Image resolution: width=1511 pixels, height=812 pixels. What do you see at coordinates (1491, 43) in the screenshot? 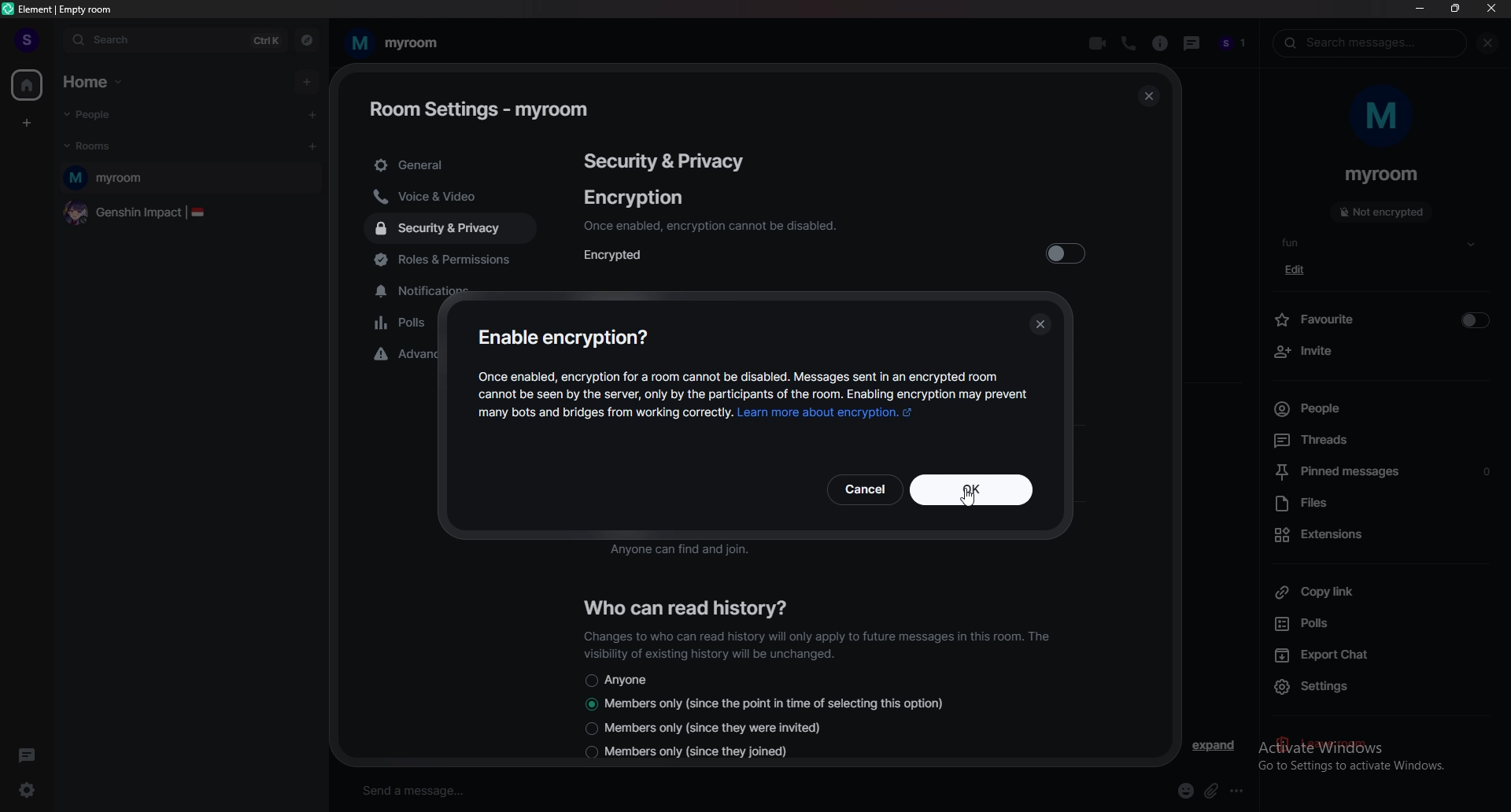
I see `close` at bounding box center [1491, 43].